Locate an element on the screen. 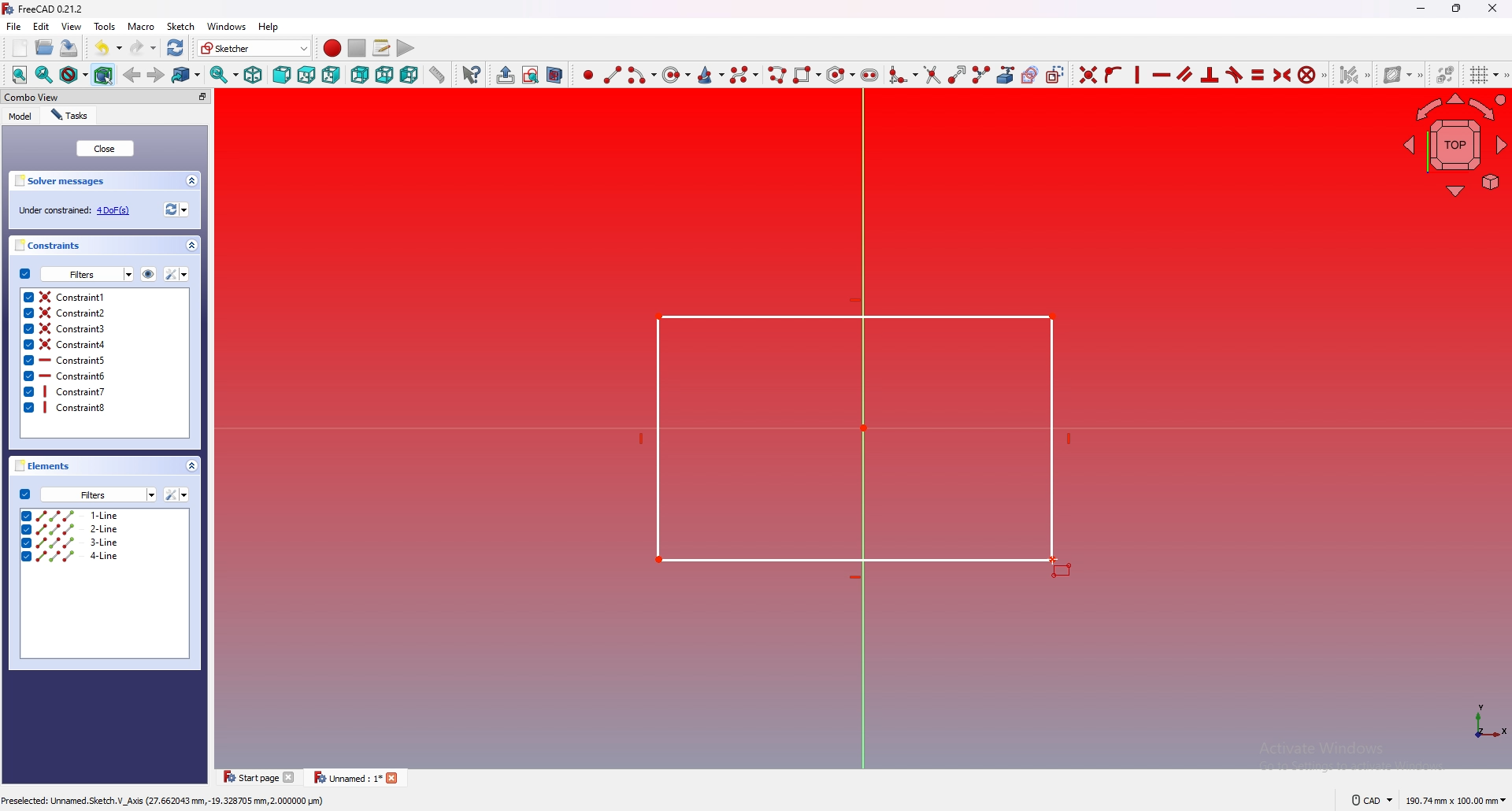 The width and height of the screenshot is (1512, 811). create line is located at coordinates (613, 76).